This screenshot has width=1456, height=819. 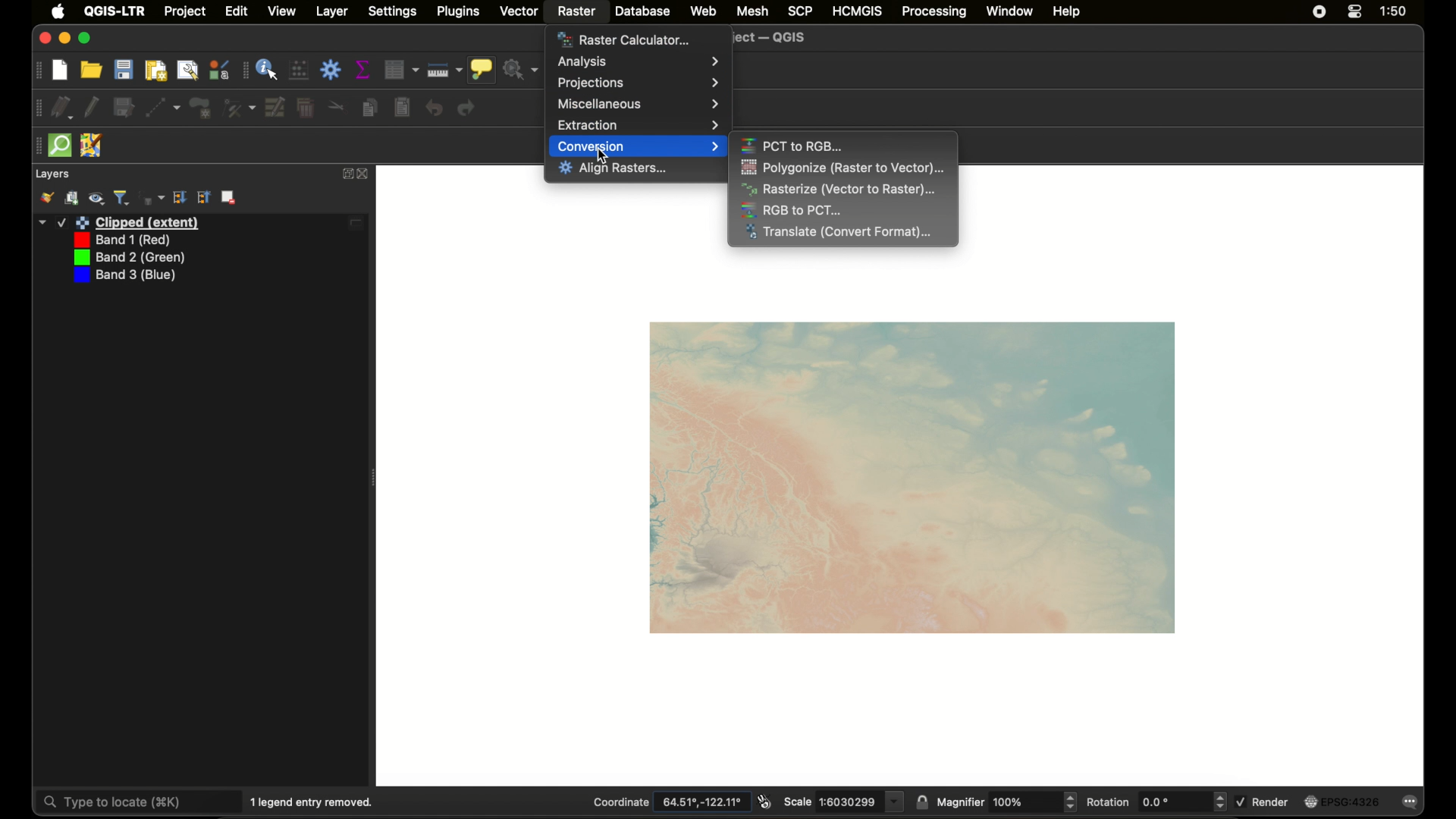 What do you see at coordinates (642, 11) in the screenshot?
I see `database` at bounding box center [642, 11].